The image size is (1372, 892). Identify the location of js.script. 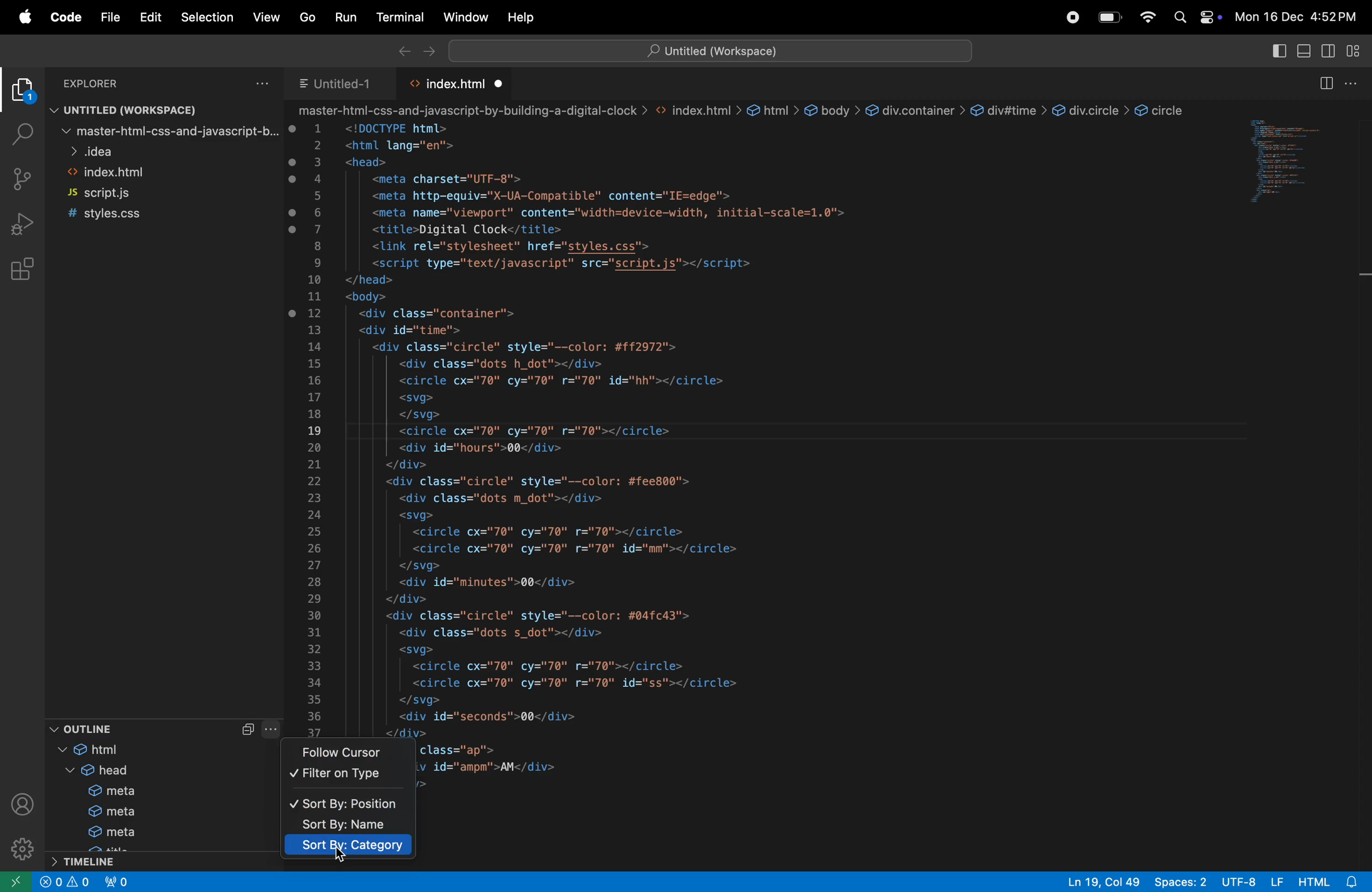
(126, 192).